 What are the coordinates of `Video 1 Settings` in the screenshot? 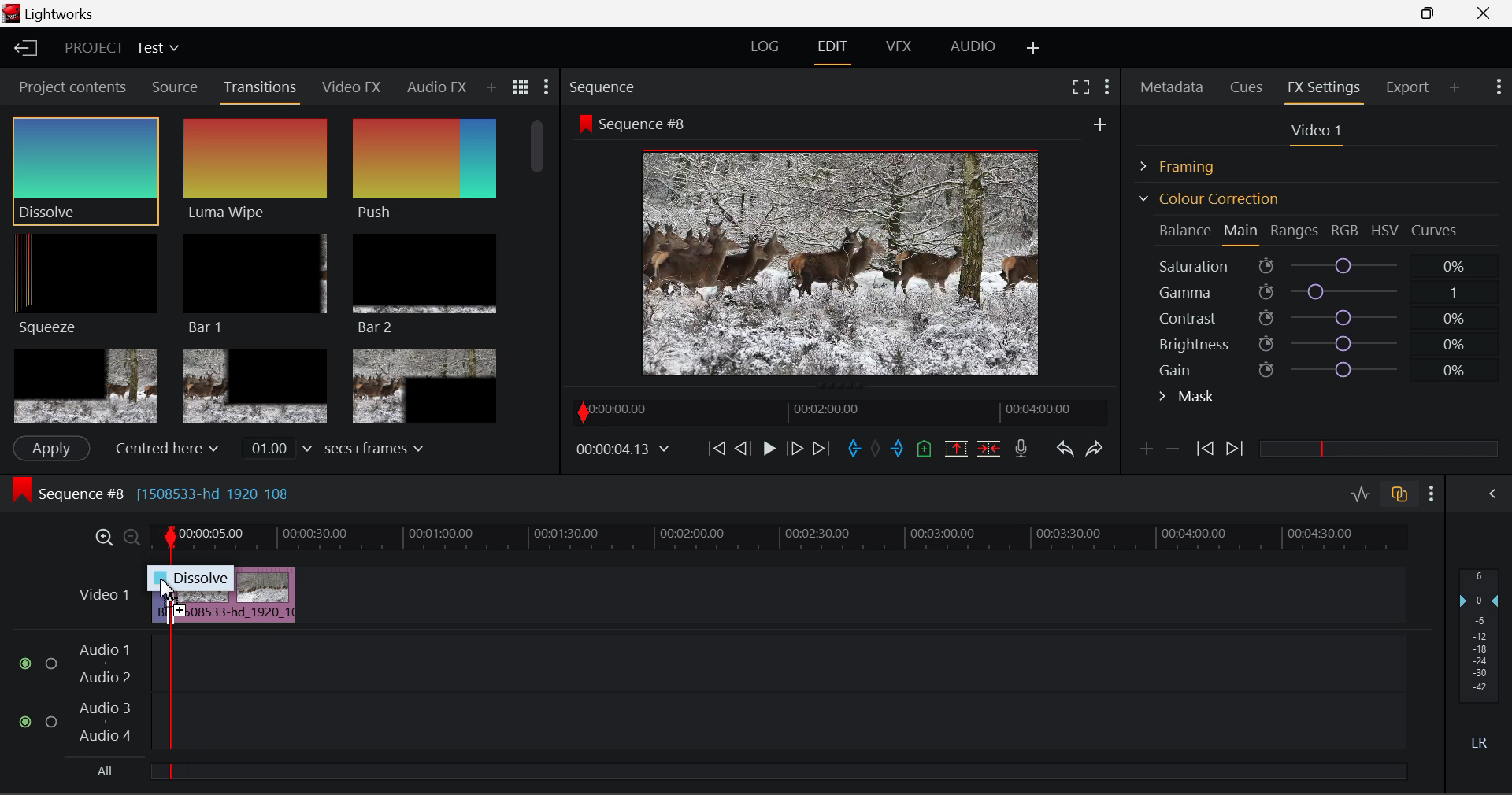 It's located at (1319, 134).